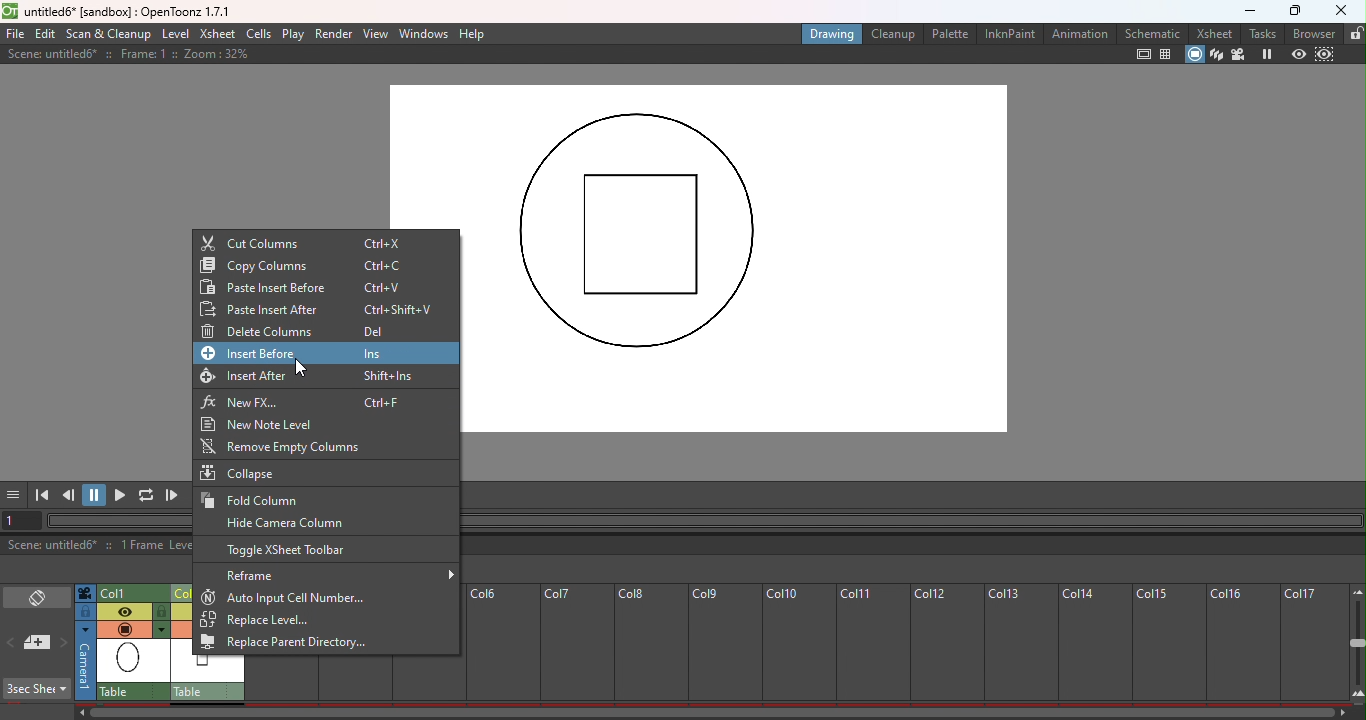 The height and width of the screenshot is (720, 1366). What do you see at coordinates (302, 265) in the screenshot?
I see `Copy column` at bounding box center [302, 265].